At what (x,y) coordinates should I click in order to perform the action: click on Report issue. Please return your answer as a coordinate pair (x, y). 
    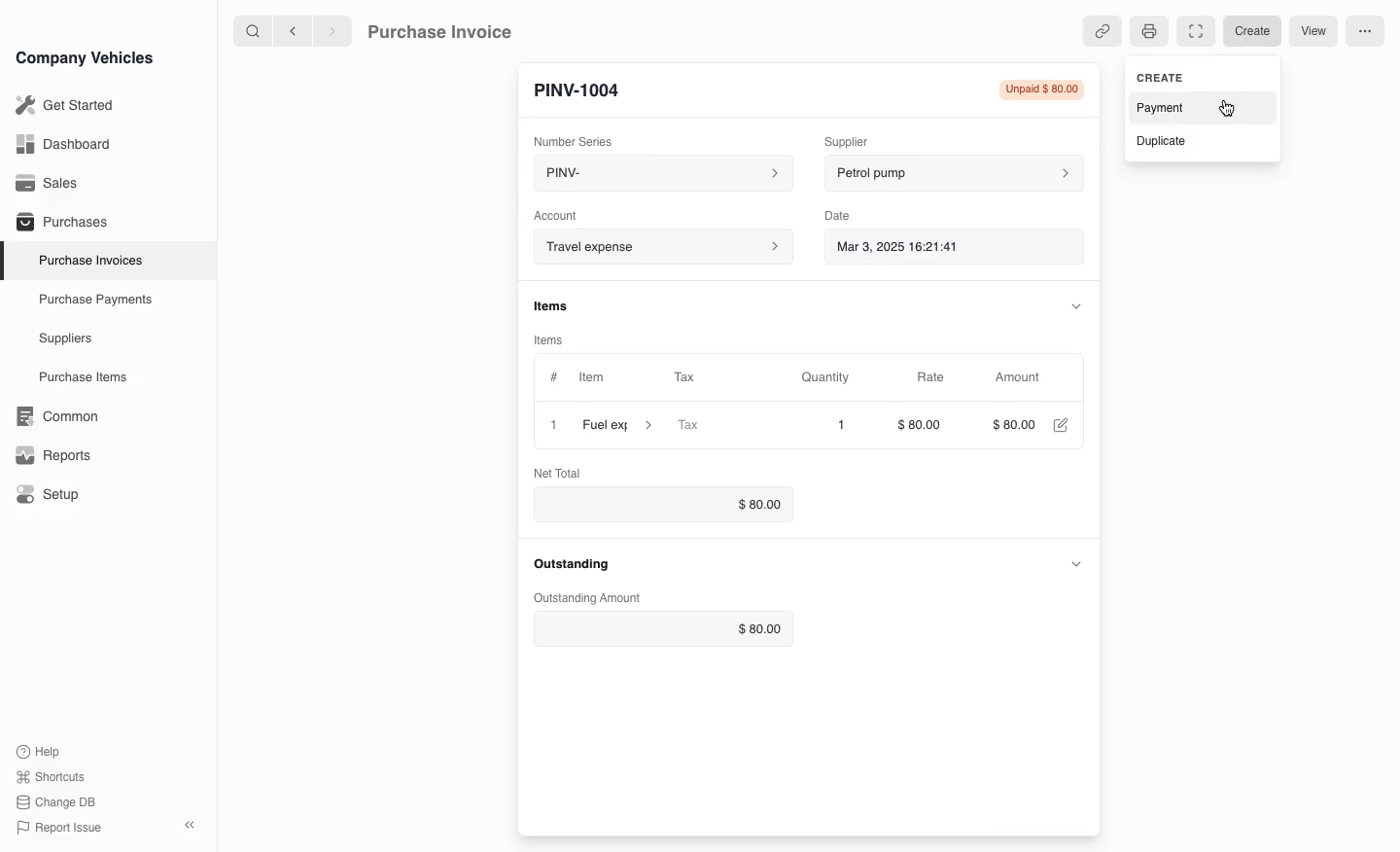
    Looking at the image, I should click on (62, 829).